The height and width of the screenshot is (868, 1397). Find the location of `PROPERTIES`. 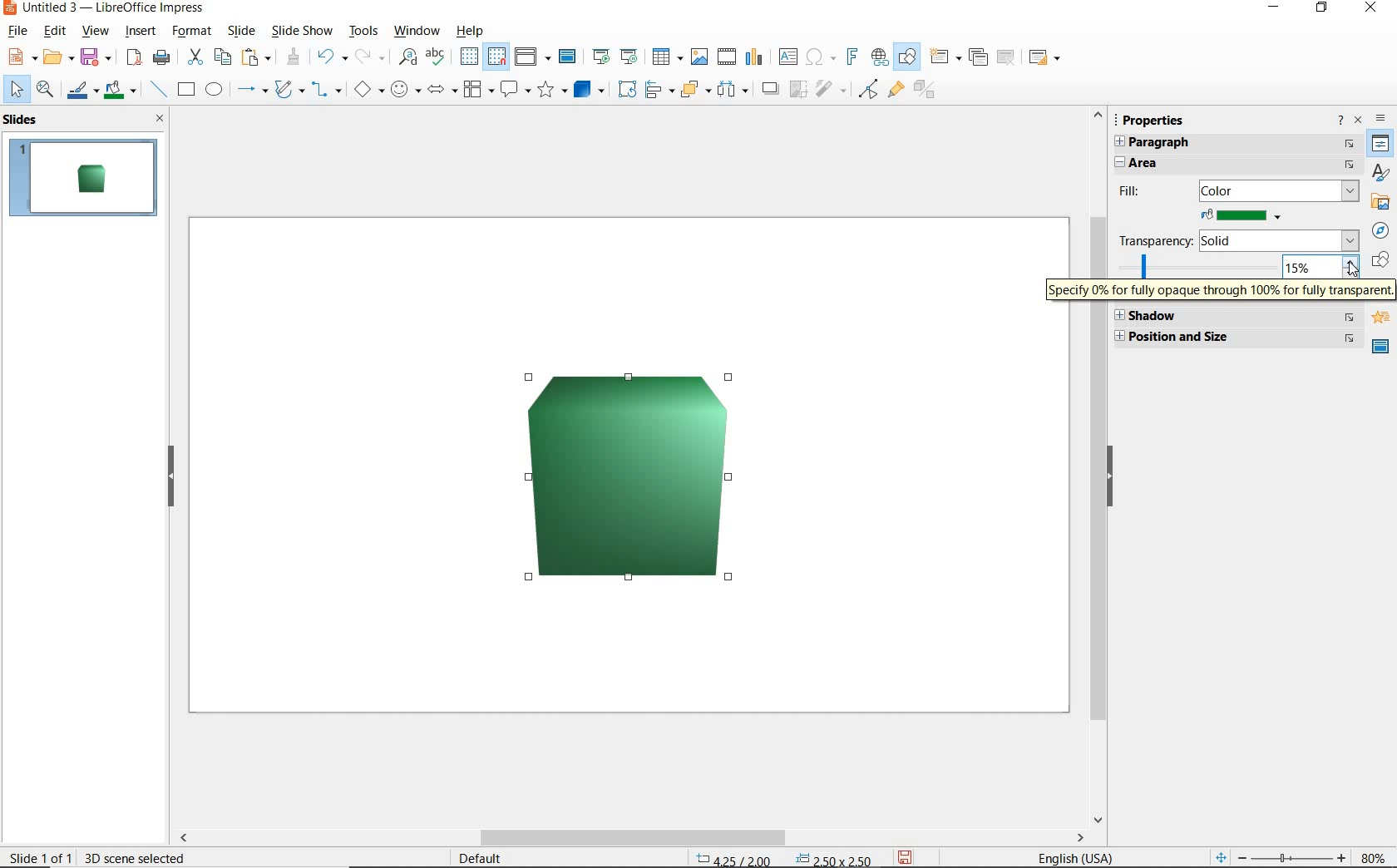

PROPERTIES is located at coordinates (1155, 118).